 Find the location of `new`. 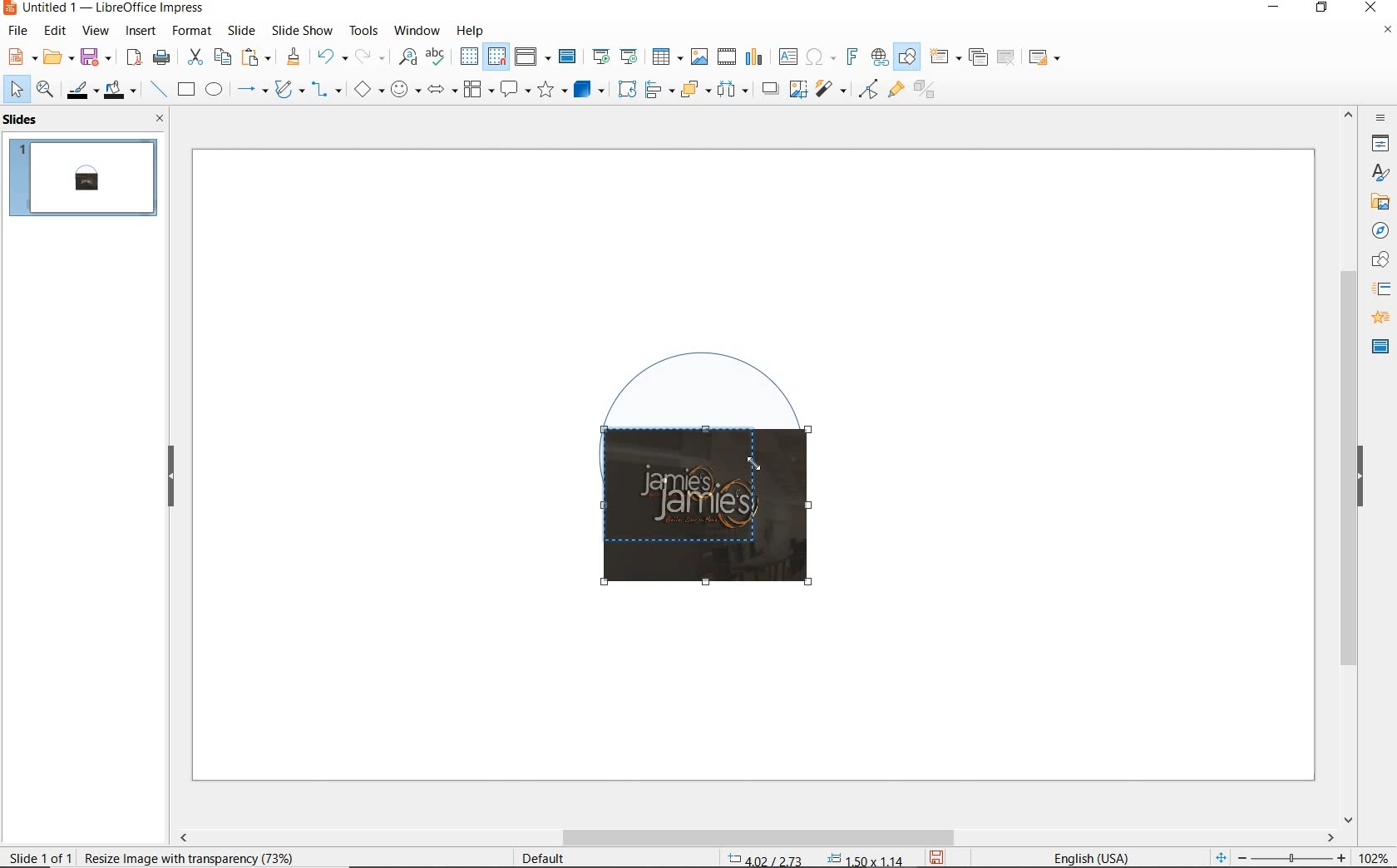

new is located at coordinates (20, 56).